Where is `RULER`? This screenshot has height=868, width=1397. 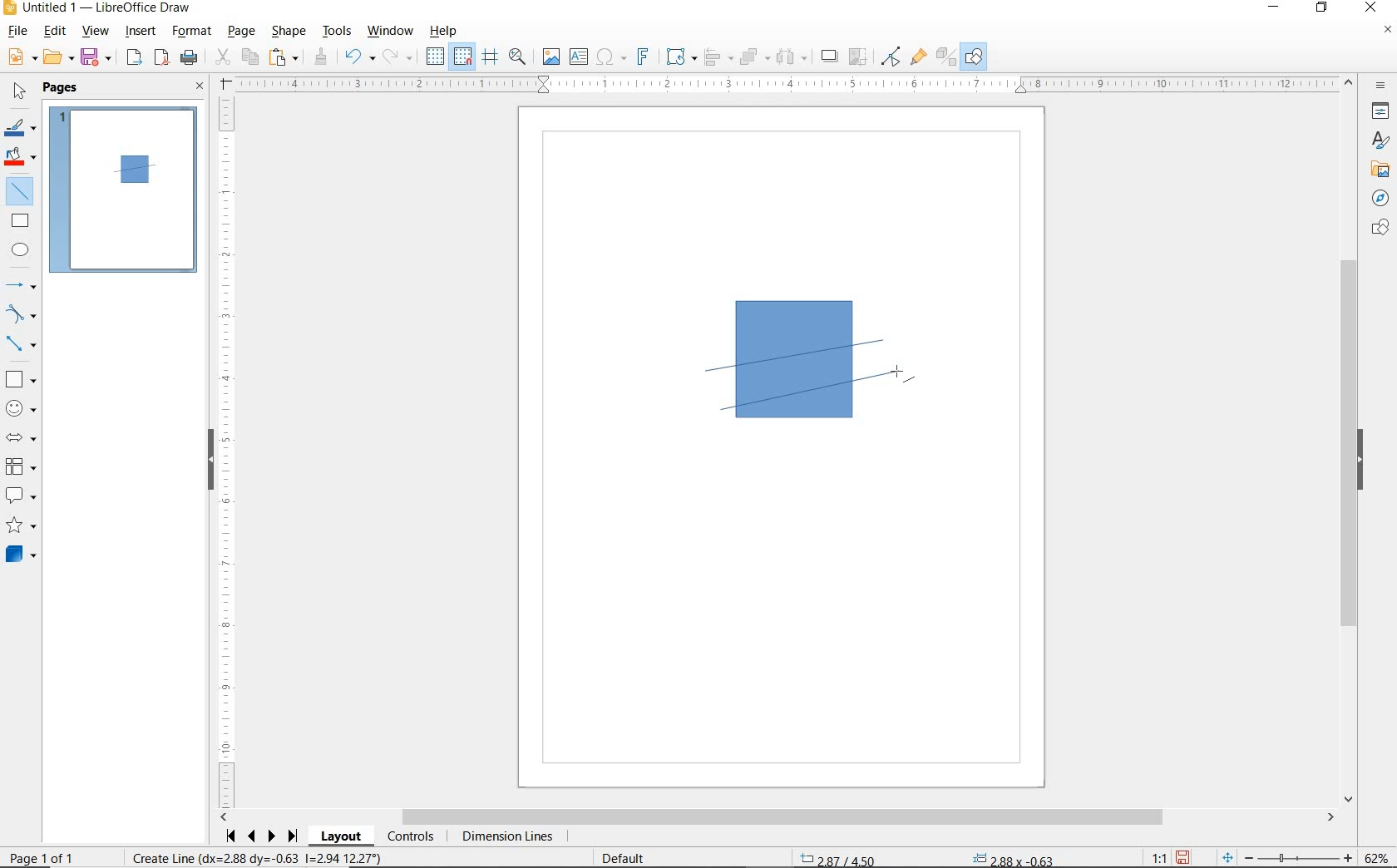
RULER is located at coordinates (787, 84).